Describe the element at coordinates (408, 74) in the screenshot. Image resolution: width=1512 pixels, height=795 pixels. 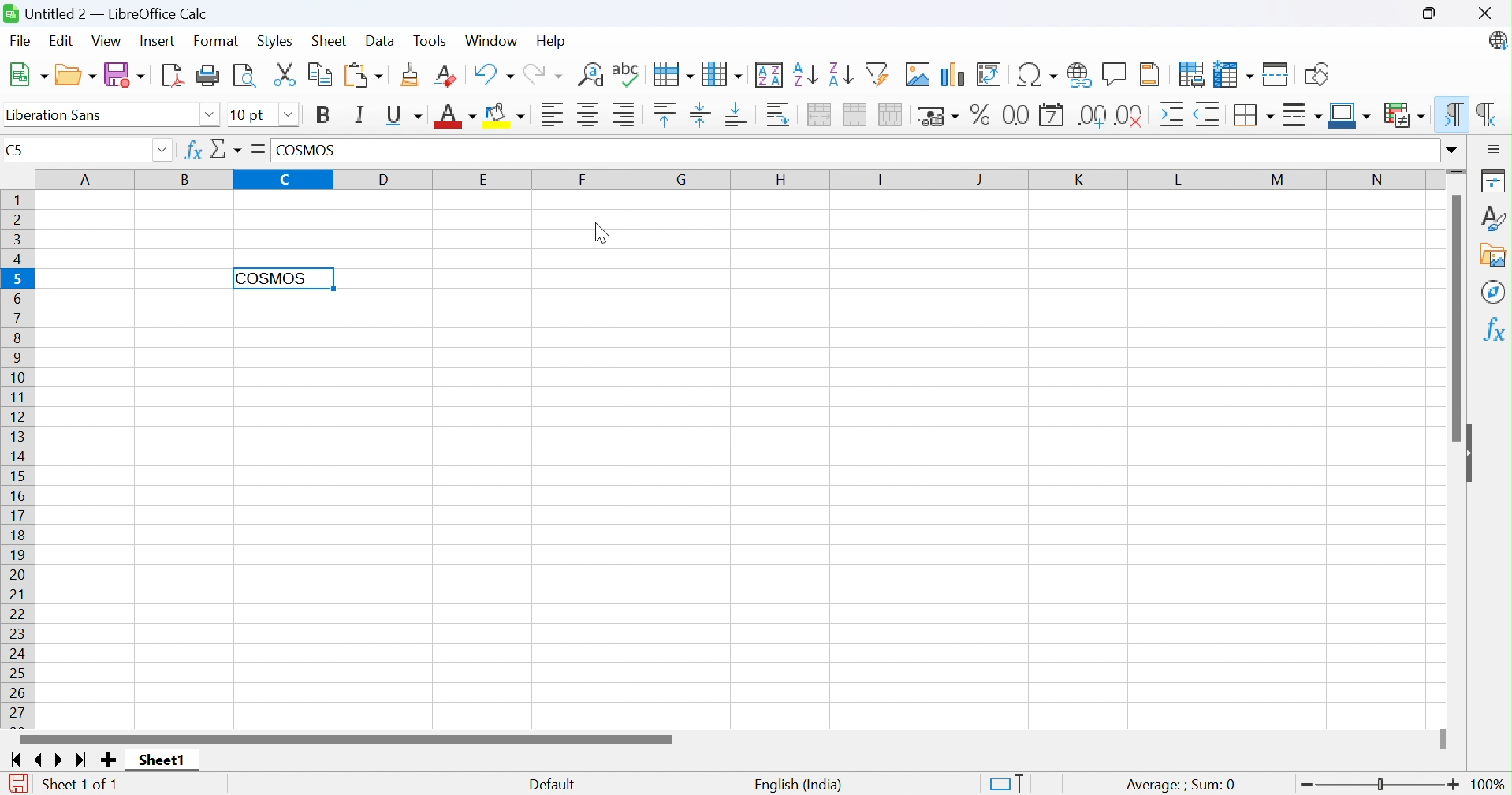
I see `Clone formatting` at that location.